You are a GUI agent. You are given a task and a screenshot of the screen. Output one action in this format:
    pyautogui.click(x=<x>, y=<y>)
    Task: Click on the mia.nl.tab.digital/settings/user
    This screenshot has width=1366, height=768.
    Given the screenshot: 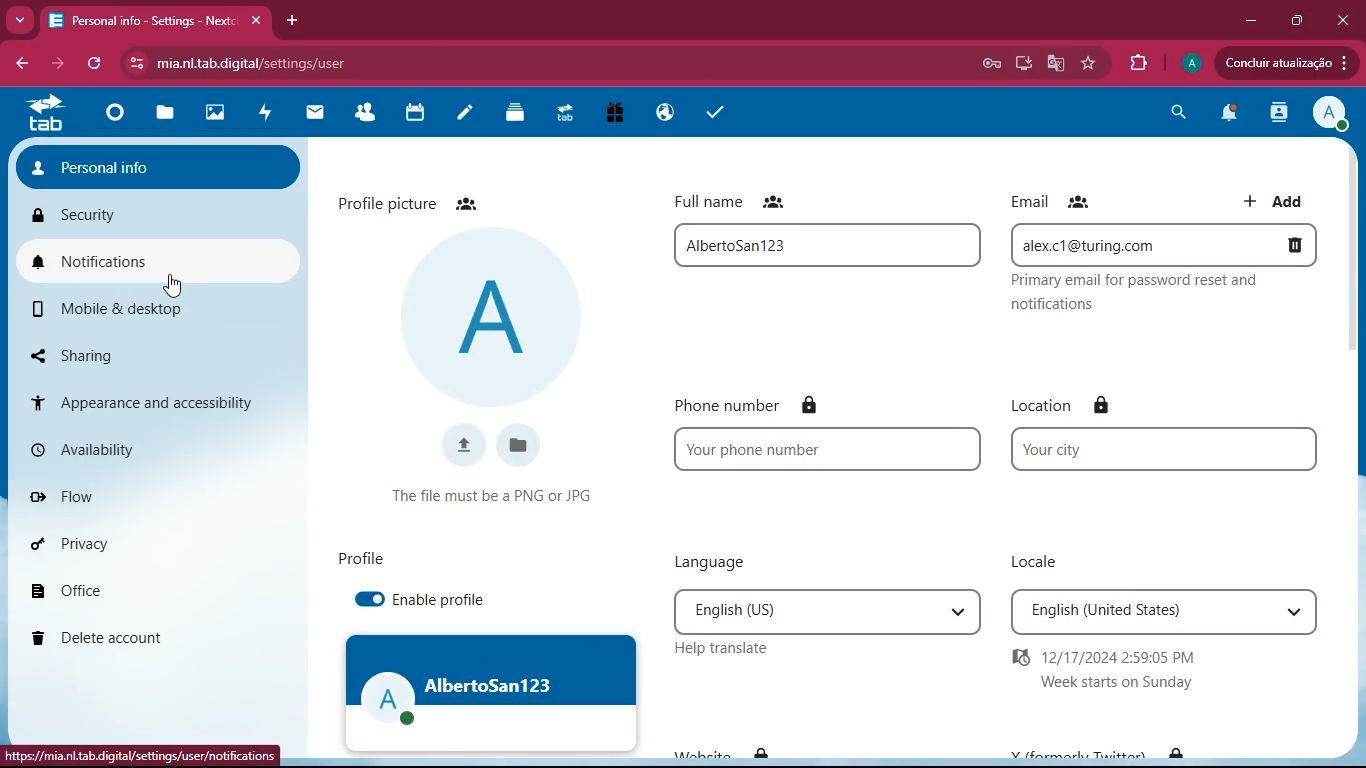 What is the action you would take?
    pyautogui.click(x=252, y=64)
    